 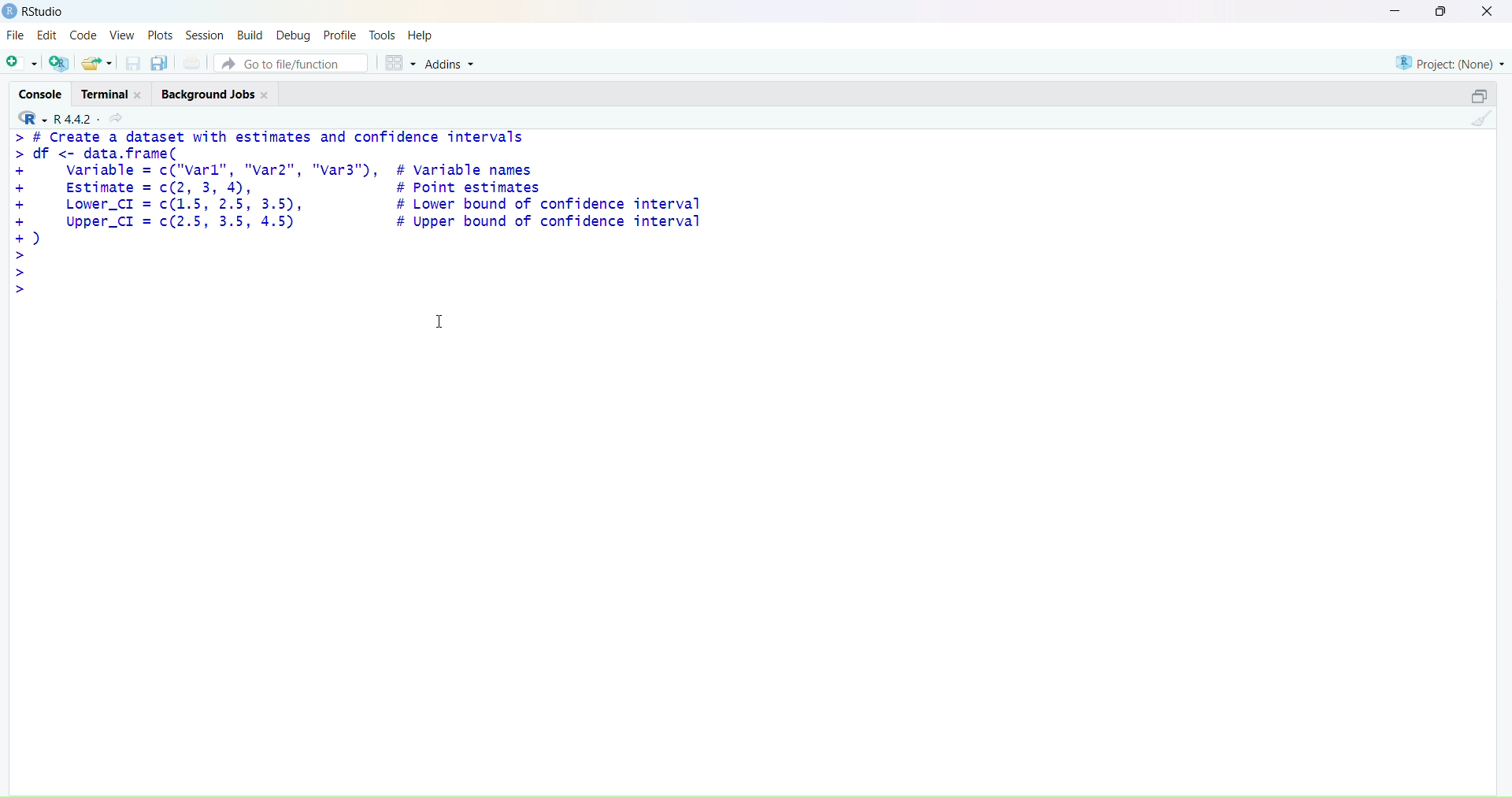 What do you see at coordinates (121, 35) in the screenshot?
I see `View` at bounding box center [121, 35].